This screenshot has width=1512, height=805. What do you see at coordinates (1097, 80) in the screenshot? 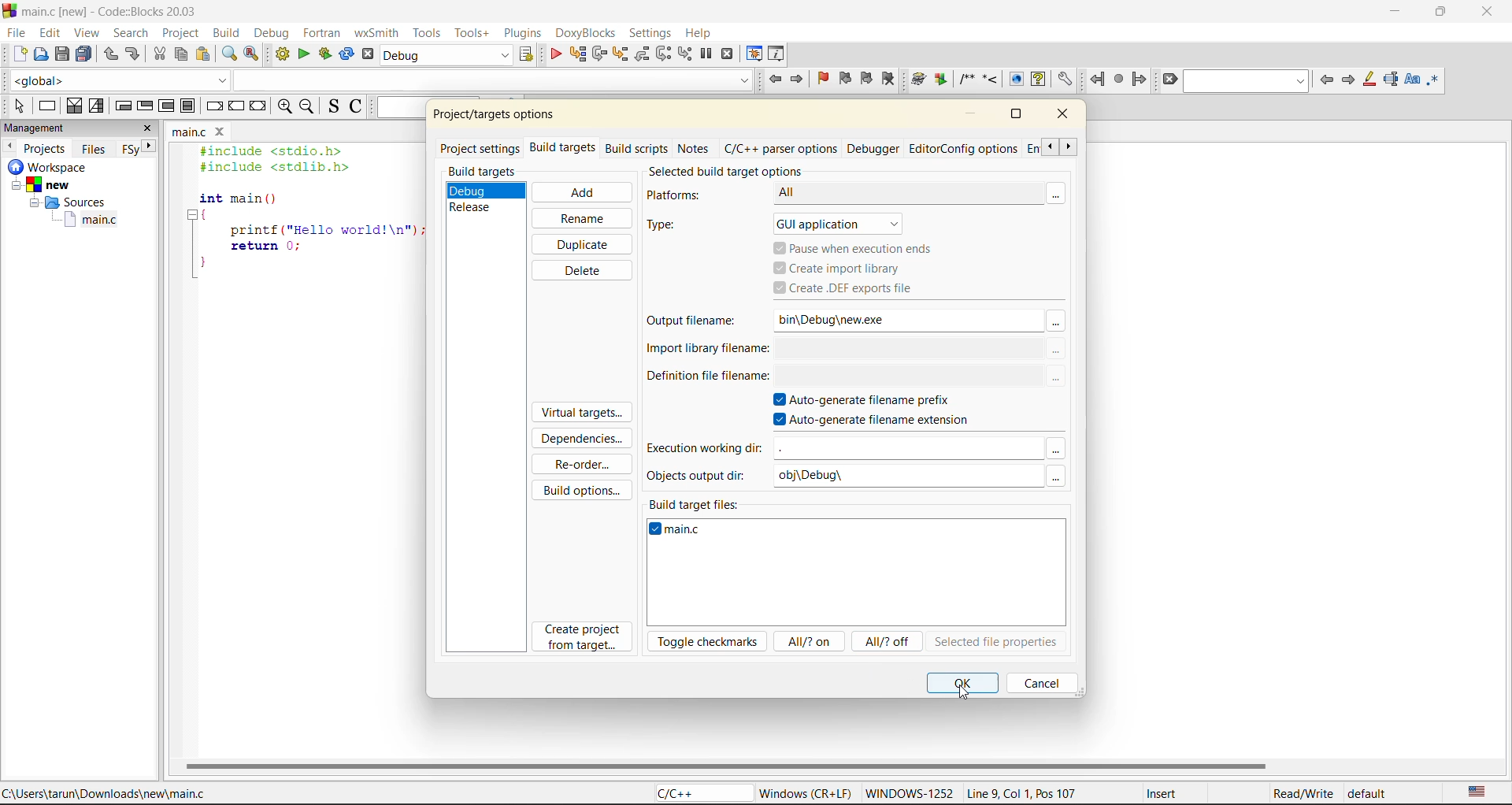
I see `jump back` at bounding box center [1097, 80].